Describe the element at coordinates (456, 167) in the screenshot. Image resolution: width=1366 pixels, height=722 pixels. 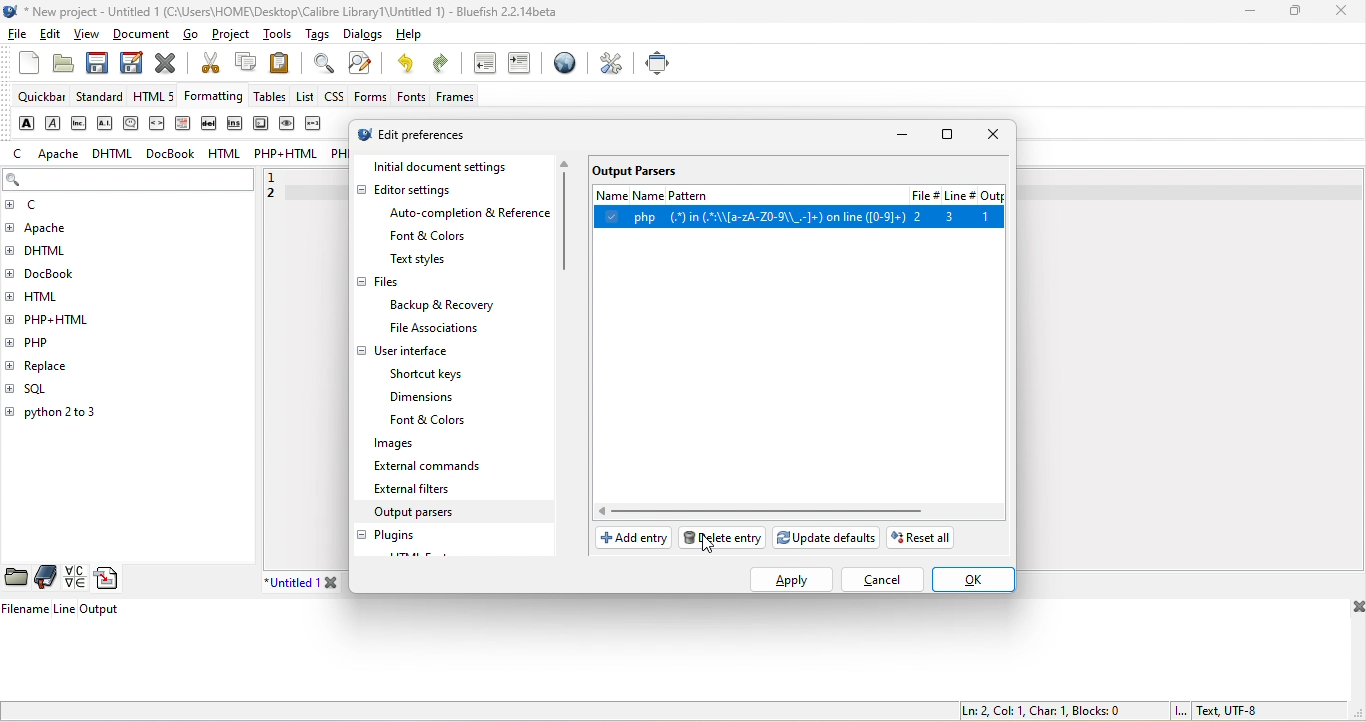
I see `initial document settings` at that location.